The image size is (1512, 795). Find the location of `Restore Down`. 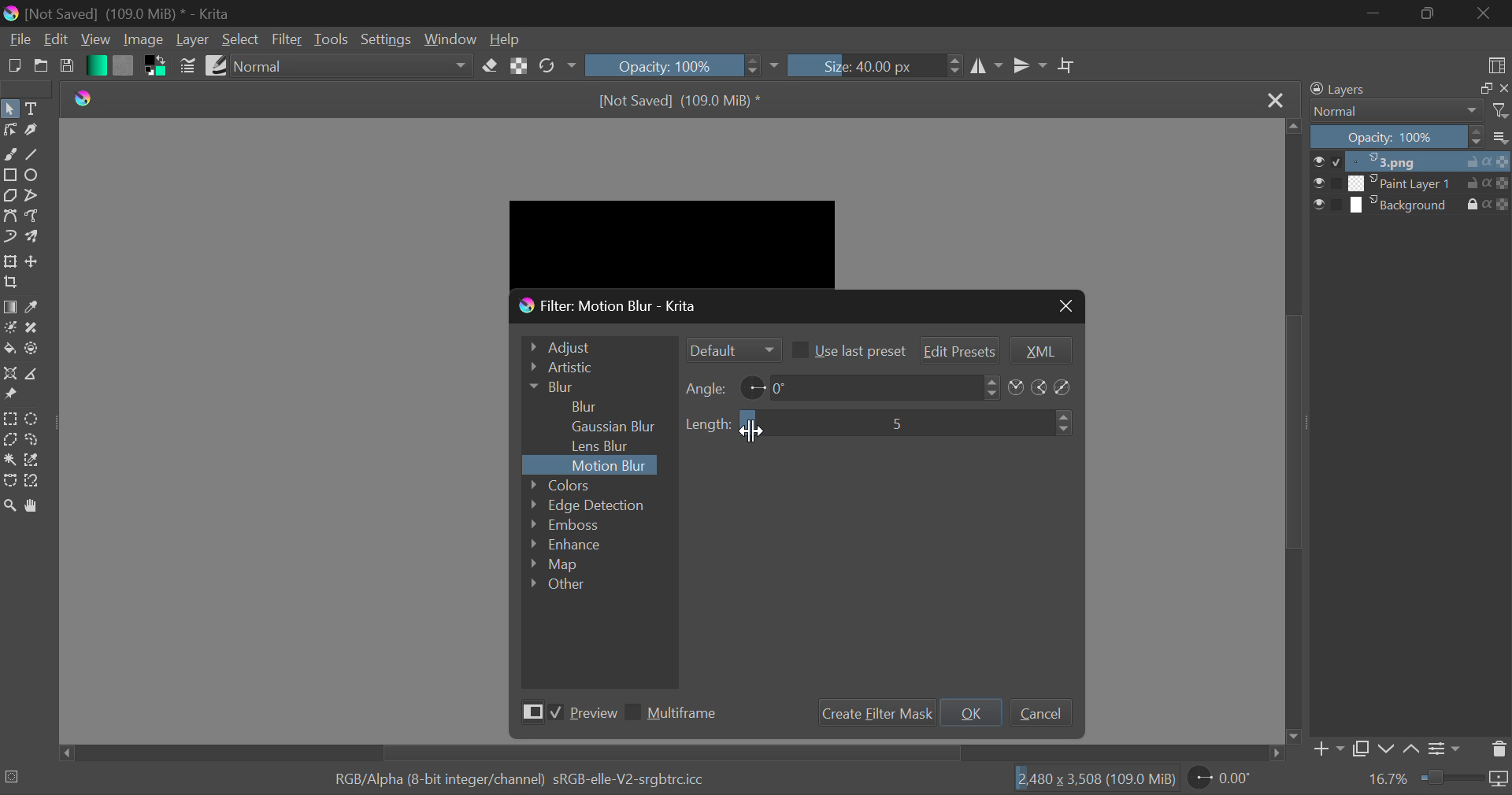

Restore Down is located at coordinates (1373, 13).